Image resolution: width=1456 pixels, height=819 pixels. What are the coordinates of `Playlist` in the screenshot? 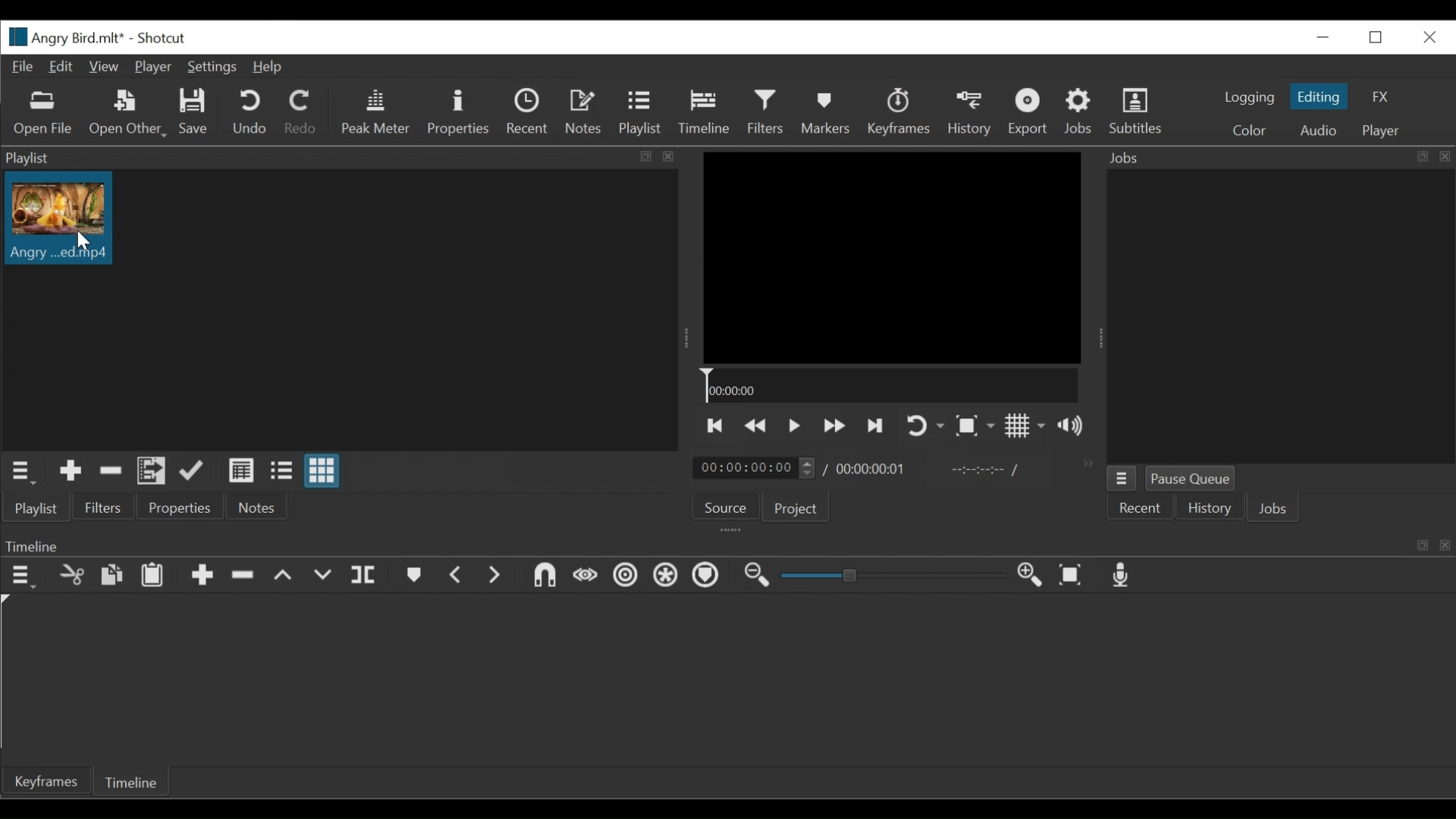 It's located at (640, 111).